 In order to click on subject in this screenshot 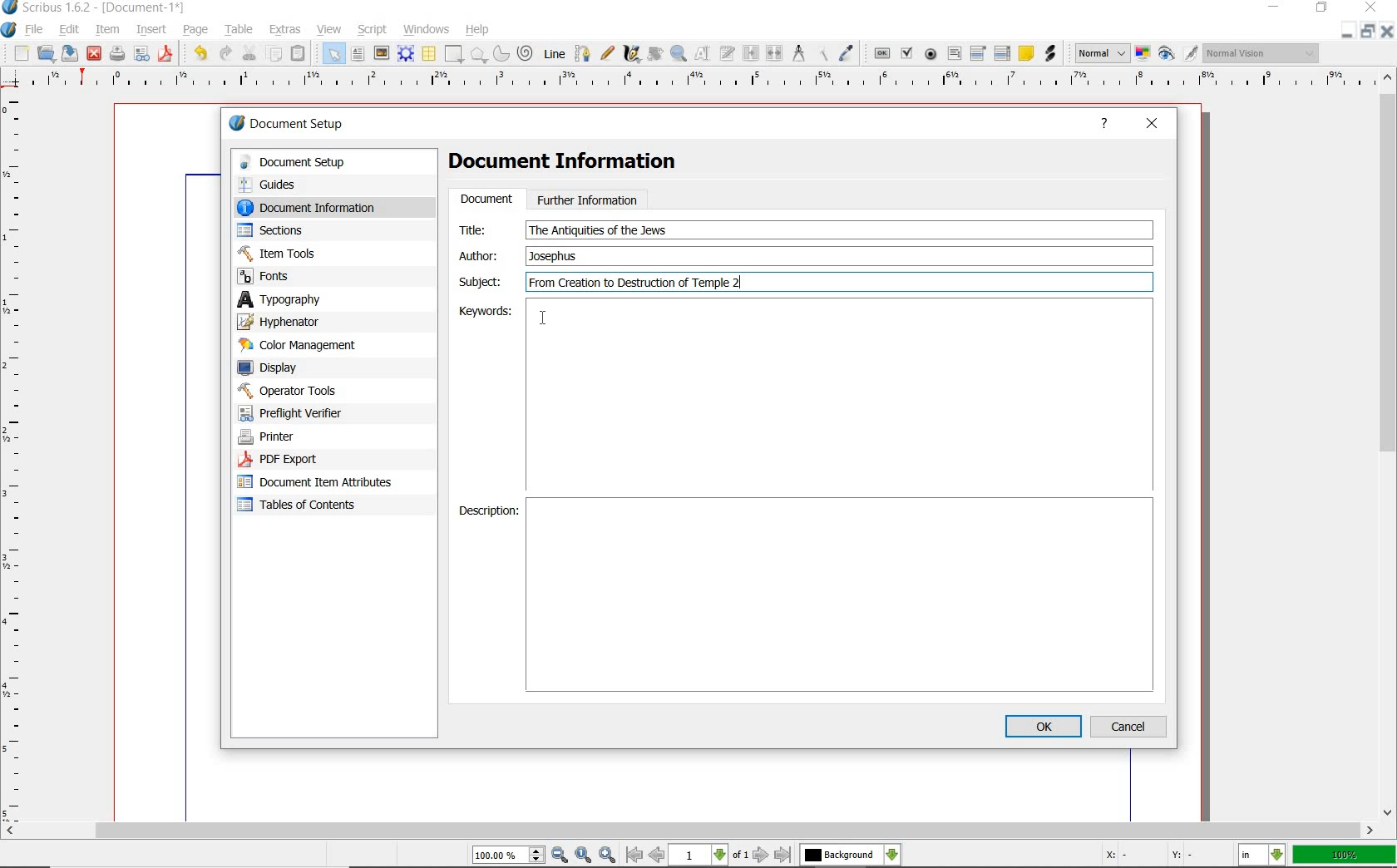, I will do `click(837, 282)`.